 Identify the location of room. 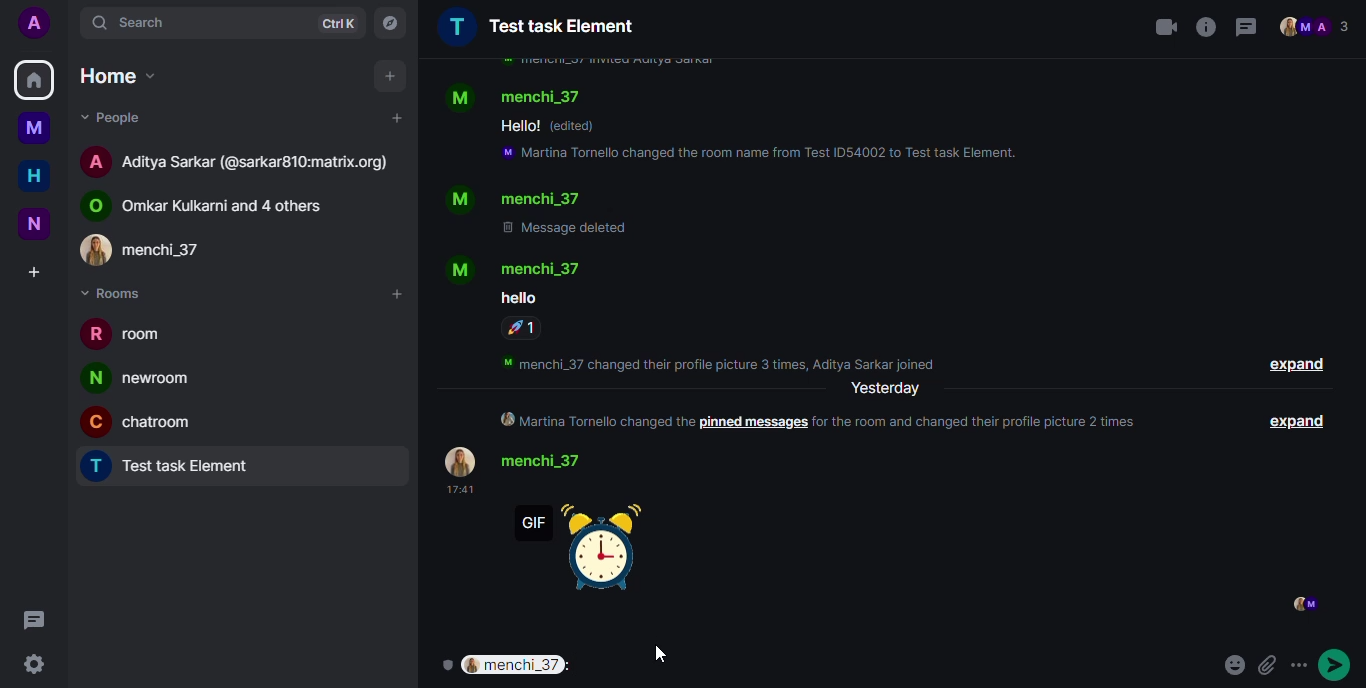
(537, 26).